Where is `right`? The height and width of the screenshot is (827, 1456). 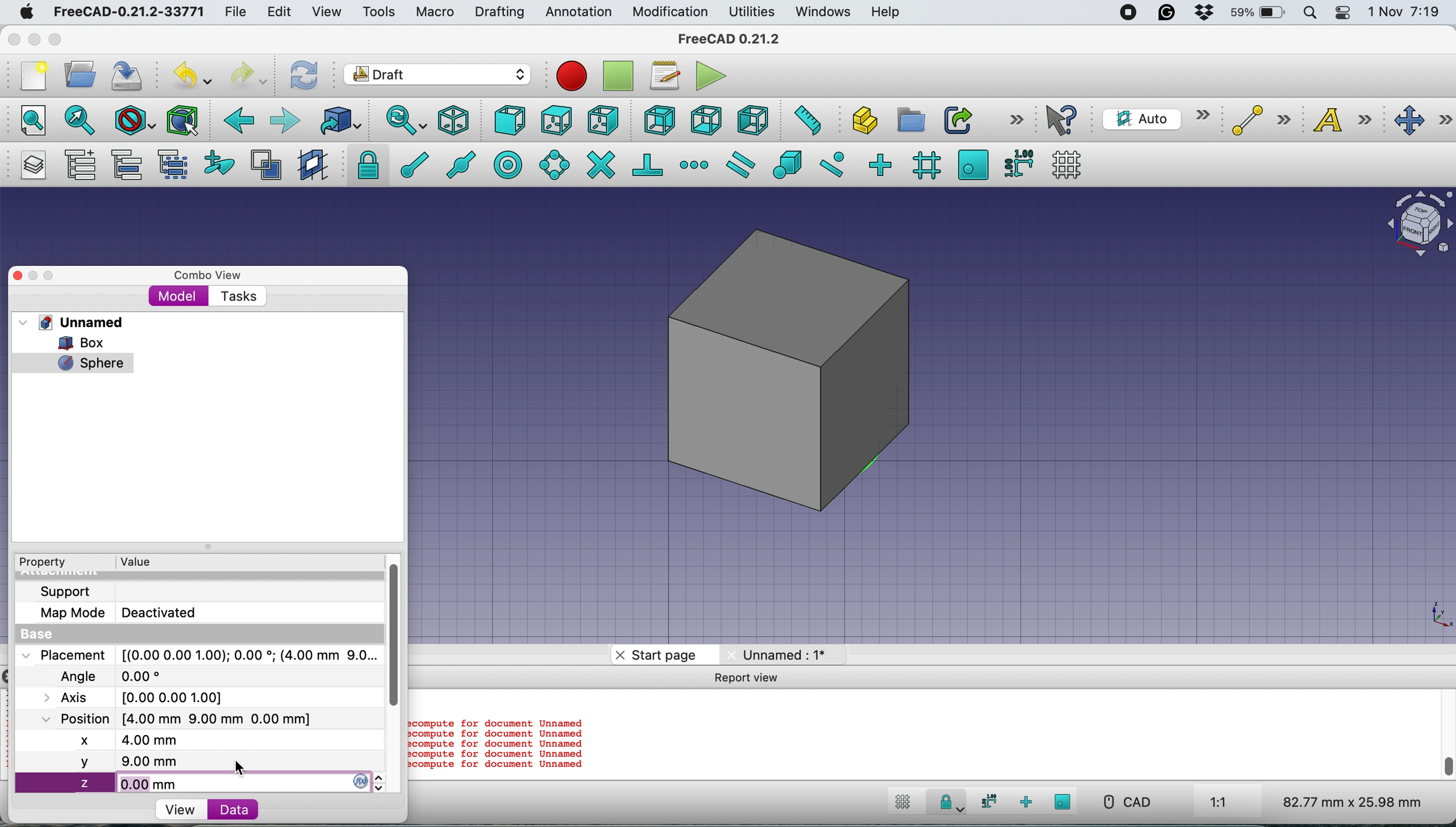 right is located at coordinates (604, 120).